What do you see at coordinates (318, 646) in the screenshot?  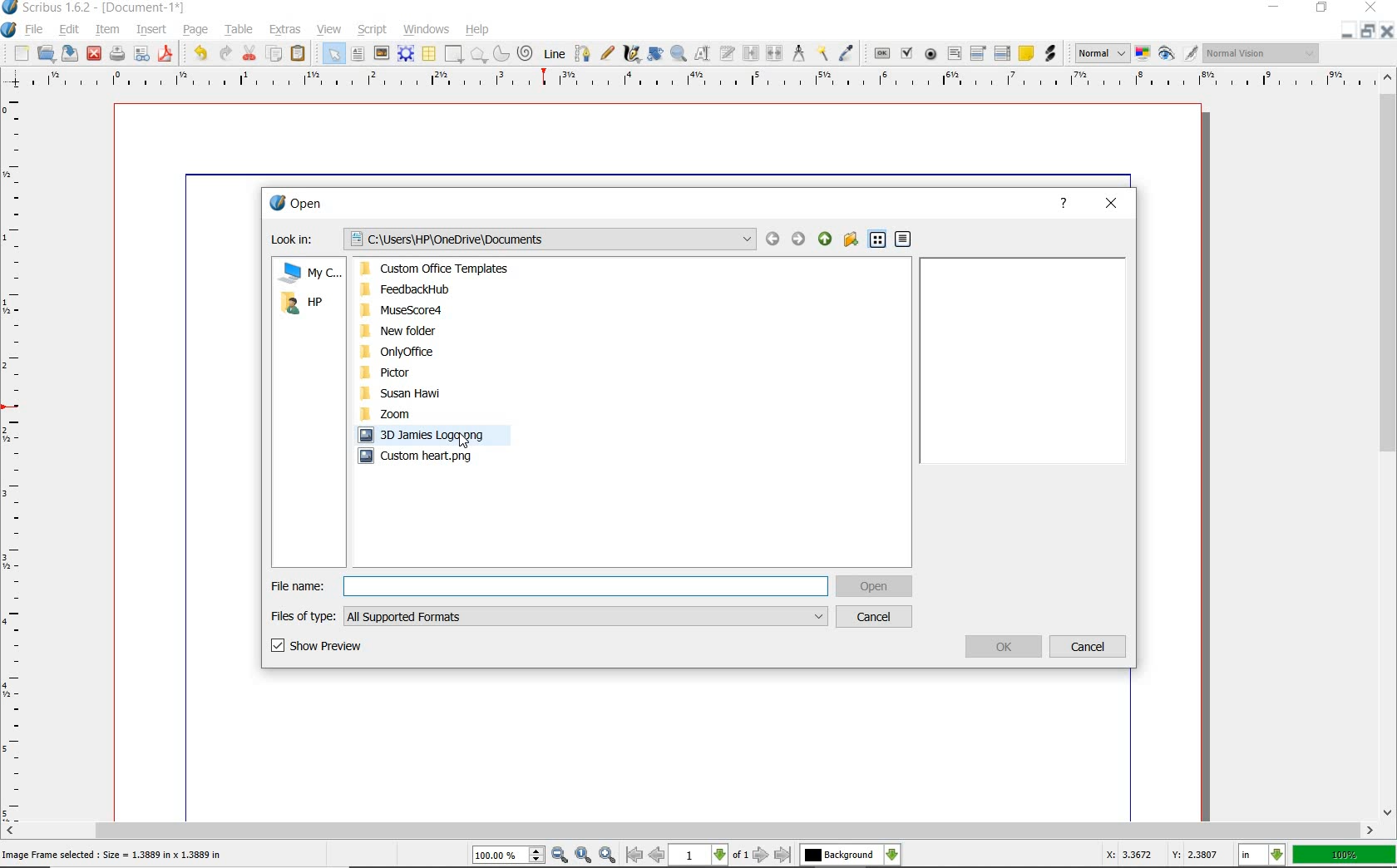 I see `SHOW PREVIEW` at bounding box center [318, 646].